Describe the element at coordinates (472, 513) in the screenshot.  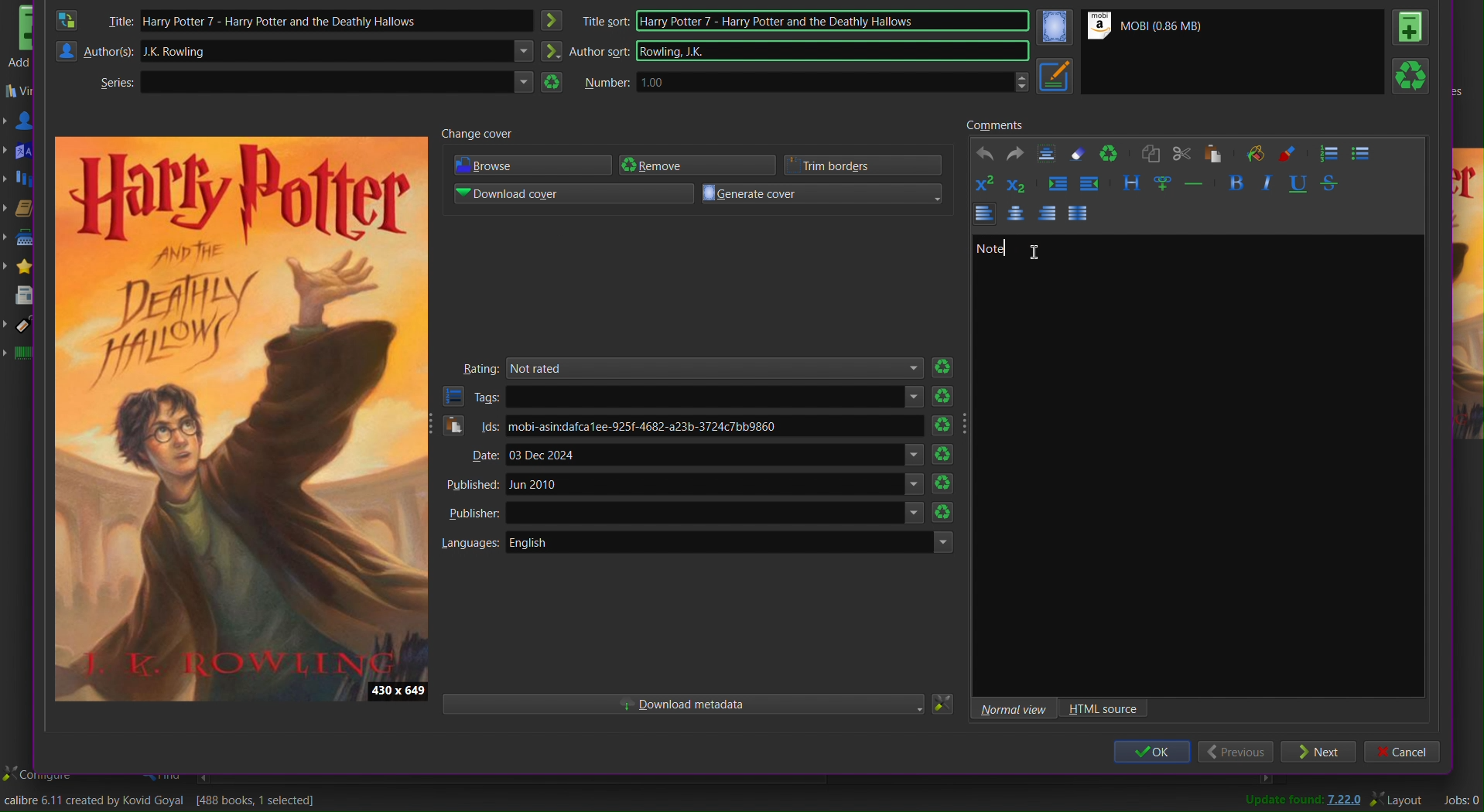
I see `Publisher` at that location.